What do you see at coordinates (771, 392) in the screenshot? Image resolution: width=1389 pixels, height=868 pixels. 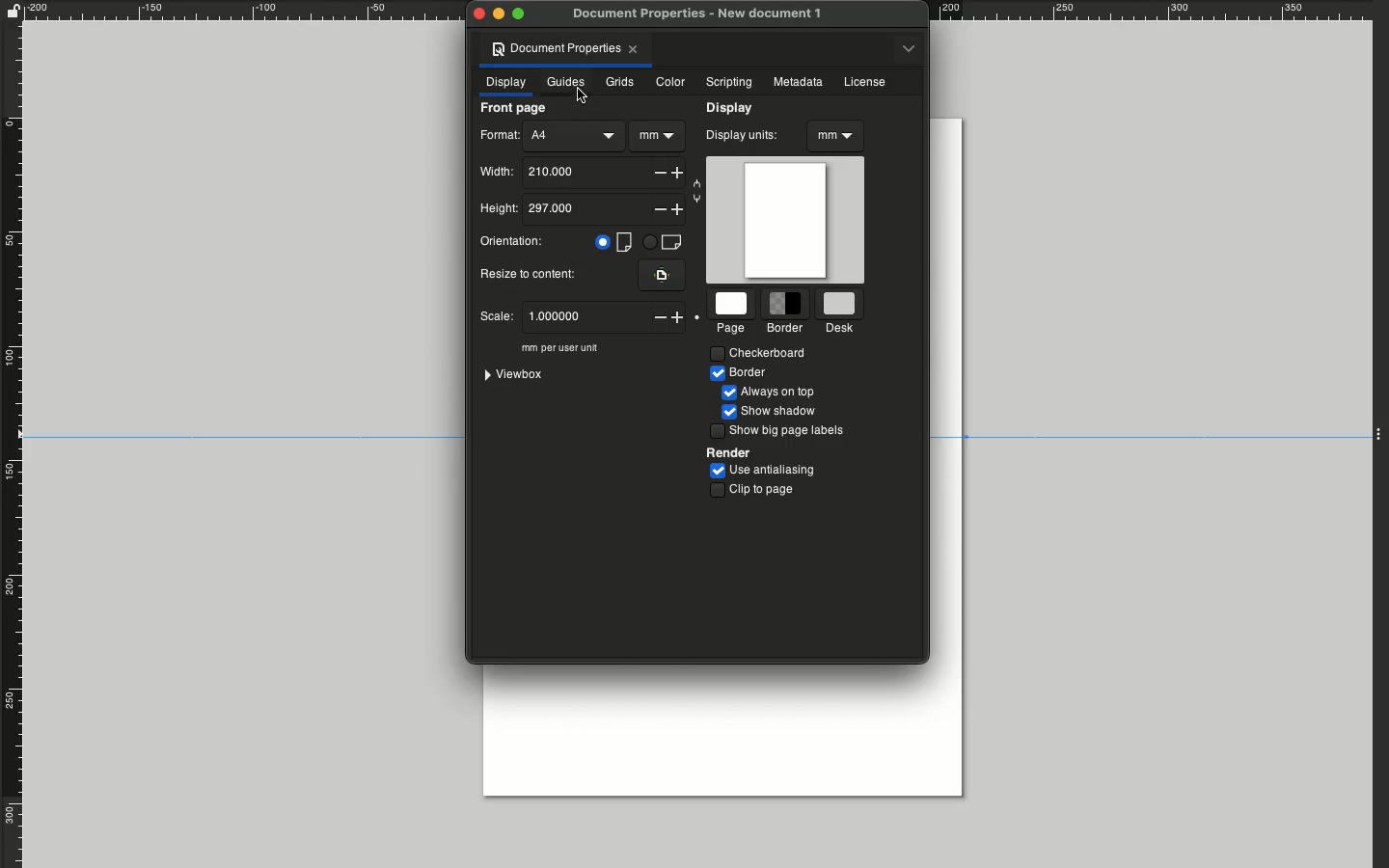 I see `Always on top` at bounding box center [771, 392].